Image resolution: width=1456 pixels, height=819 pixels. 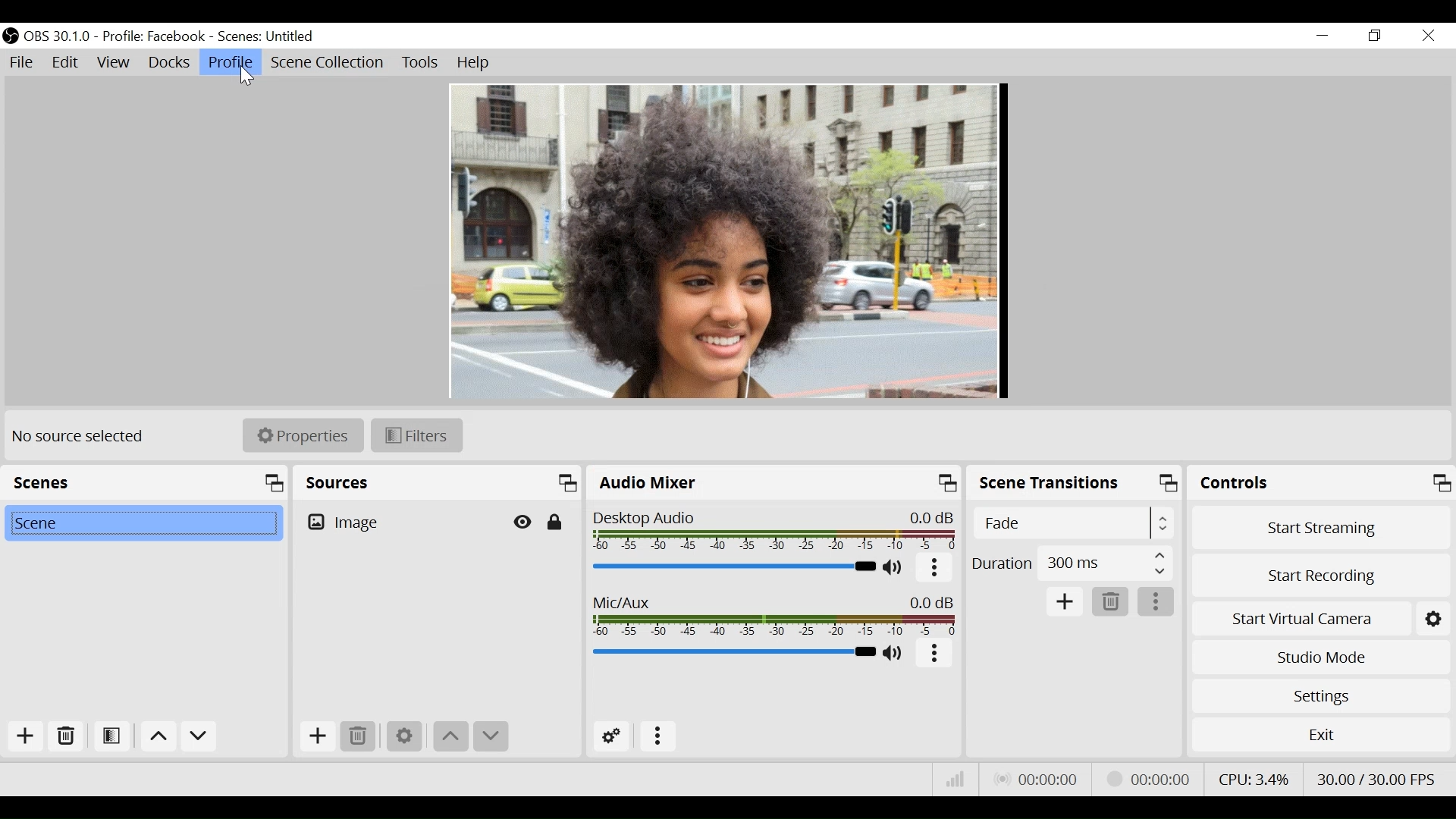 I want to click on Add, so click(x=316, y=736).